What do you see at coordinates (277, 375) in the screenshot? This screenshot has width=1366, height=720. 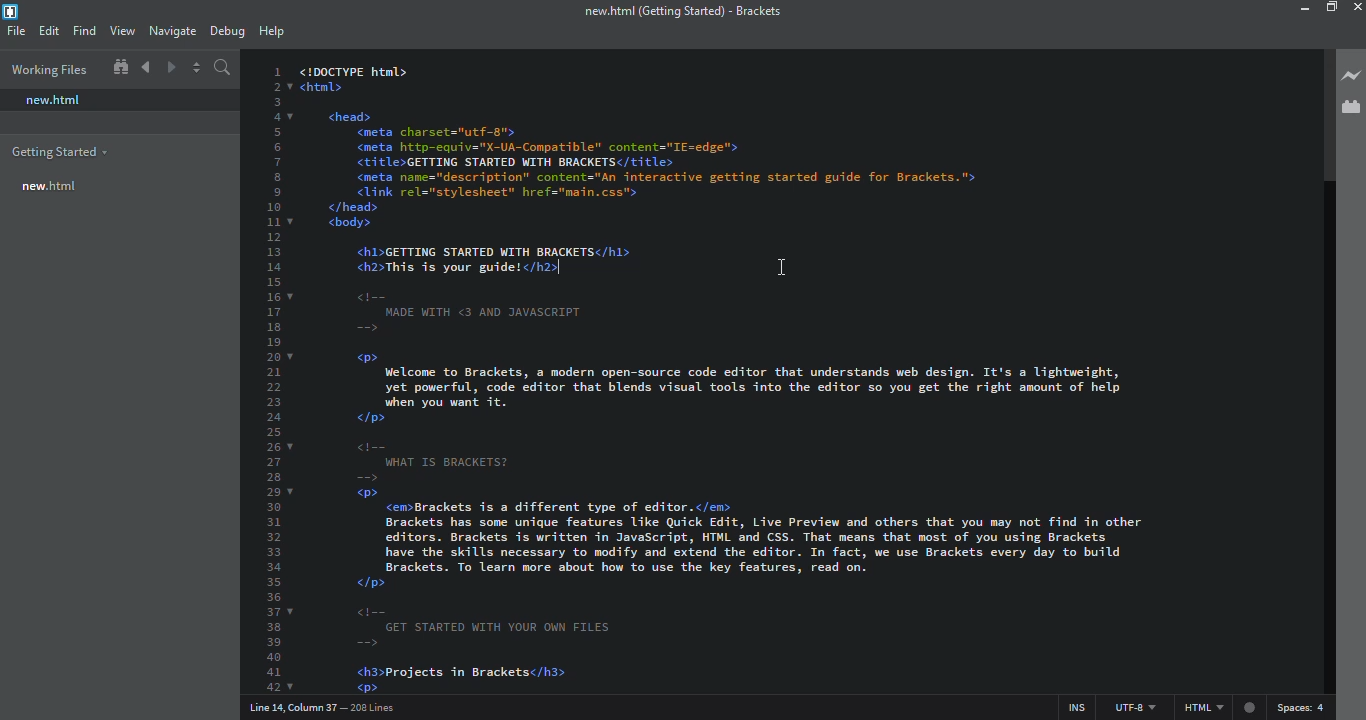 I see `line number` at bounding box center [277, 375].